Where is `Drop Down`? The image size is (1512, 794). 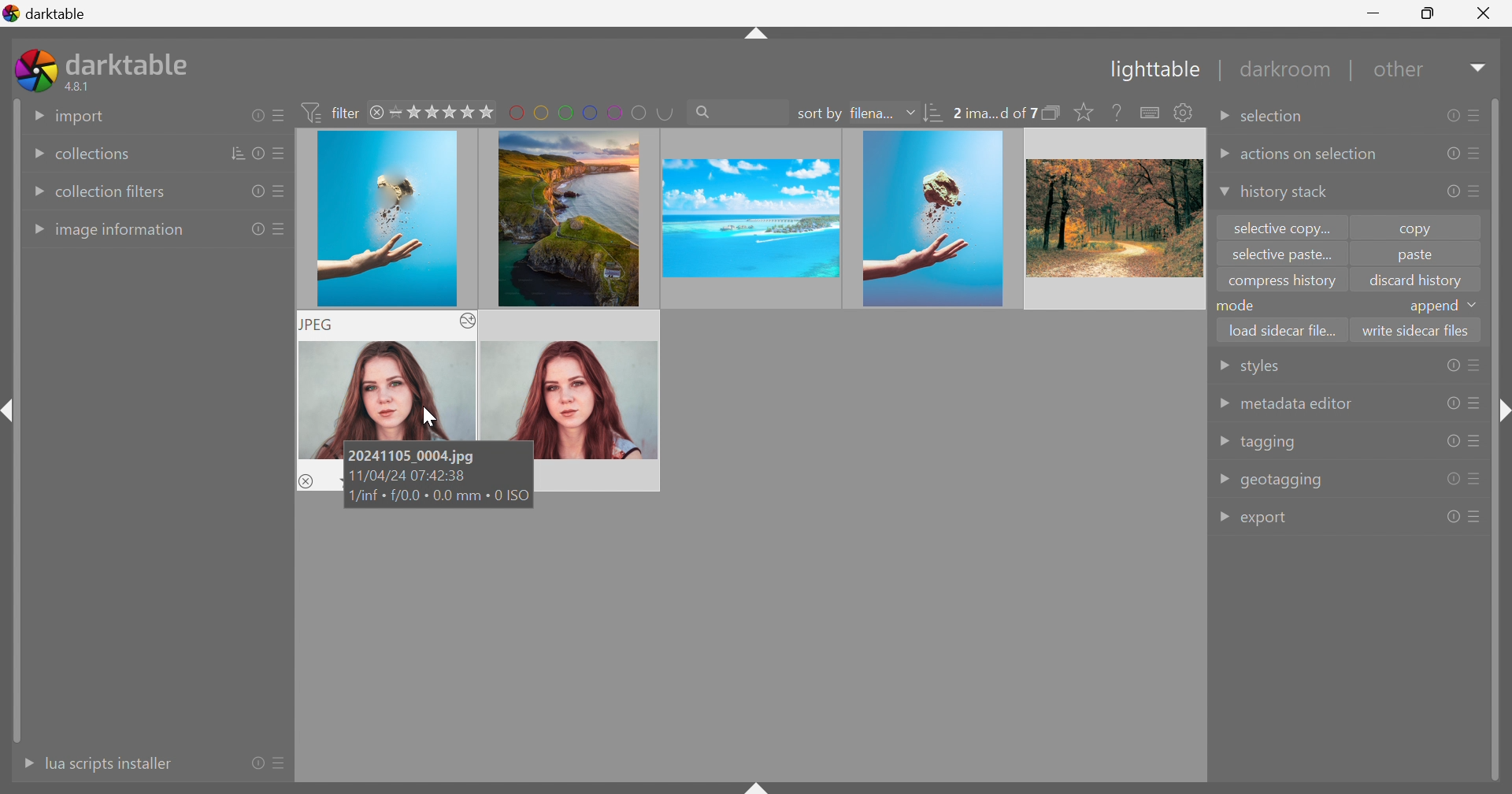 Drop Down is located at coordinates (35, 230).